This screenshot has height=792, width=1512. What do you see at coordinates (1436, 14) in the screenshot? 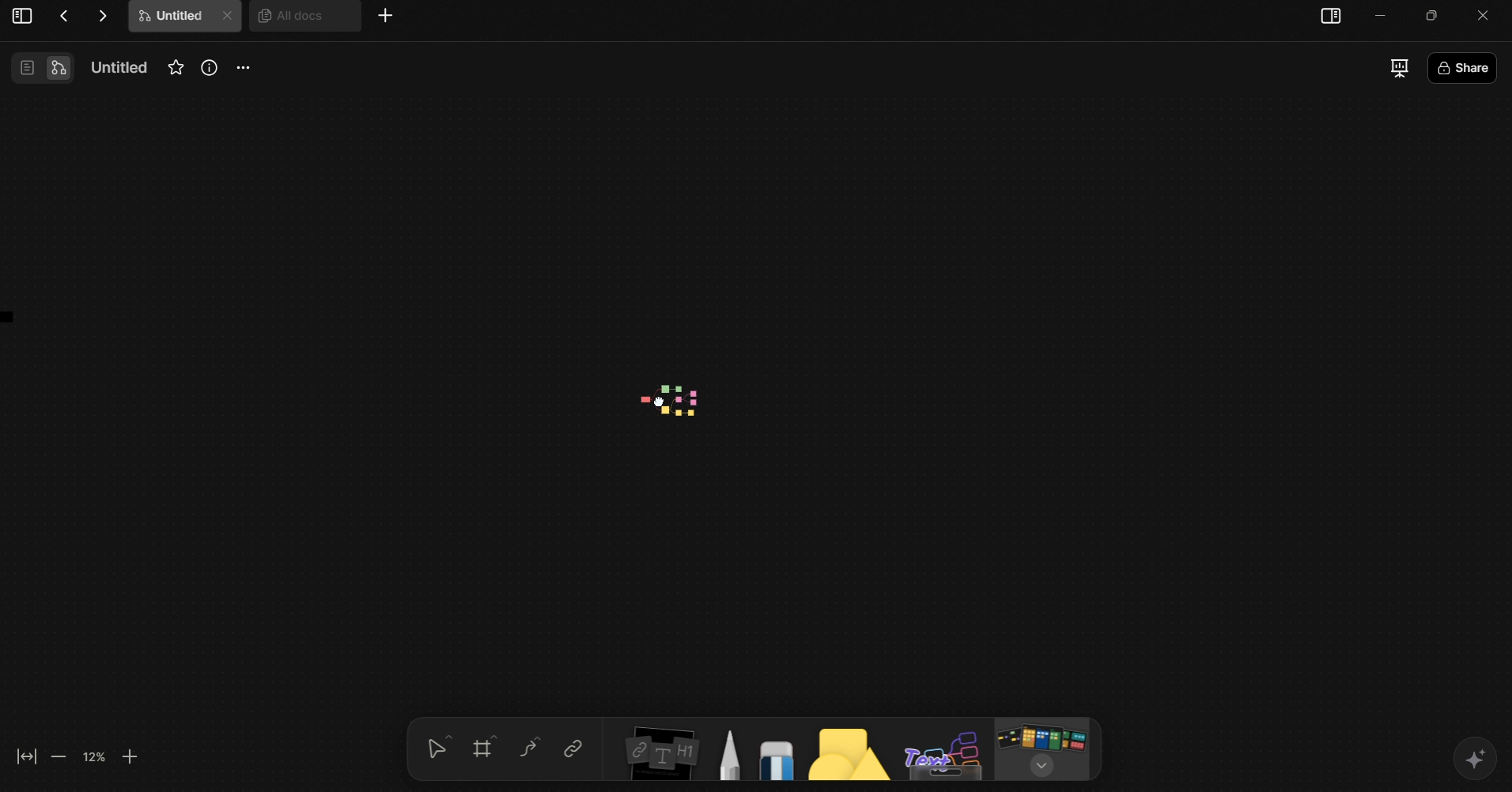
I see `Minimize` at bounding box center [1436, 14].